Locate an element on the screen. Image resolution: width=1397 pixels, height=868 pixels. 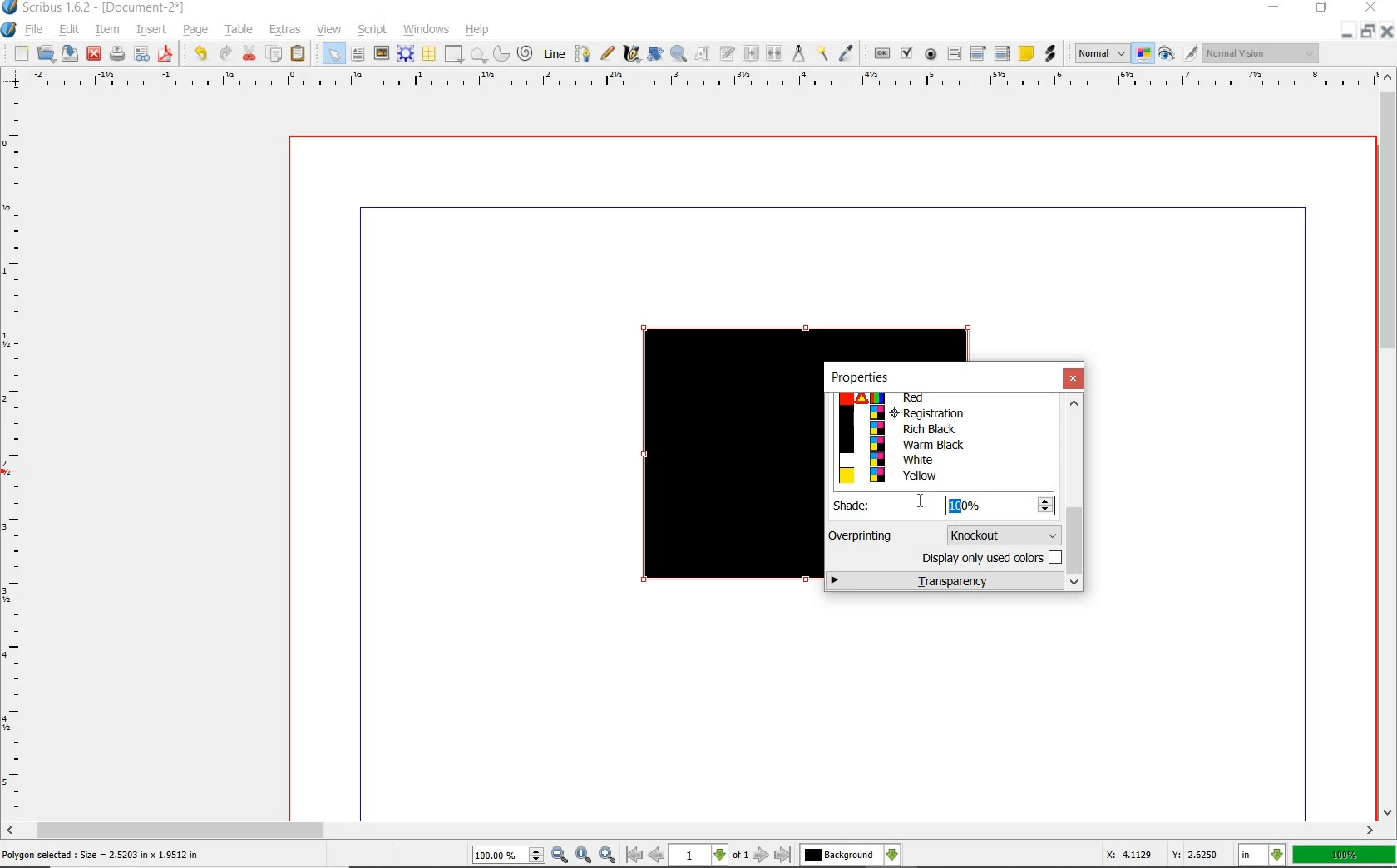
preview mode is located at coordinates (1167, 56).